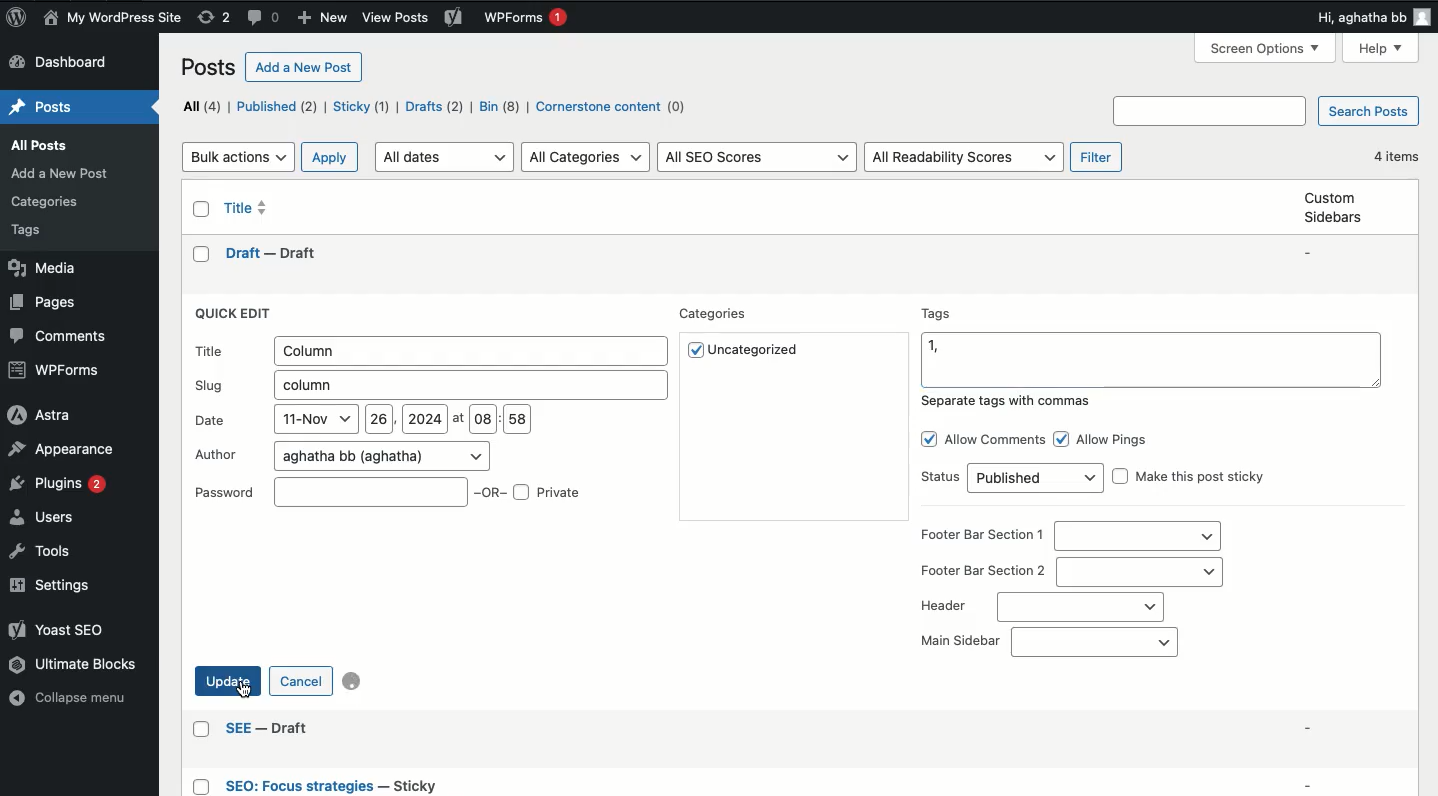  What do you see at coordinates (63, 633) in the screenshot?
I see `Yoast` at bounding box center [63, 633].